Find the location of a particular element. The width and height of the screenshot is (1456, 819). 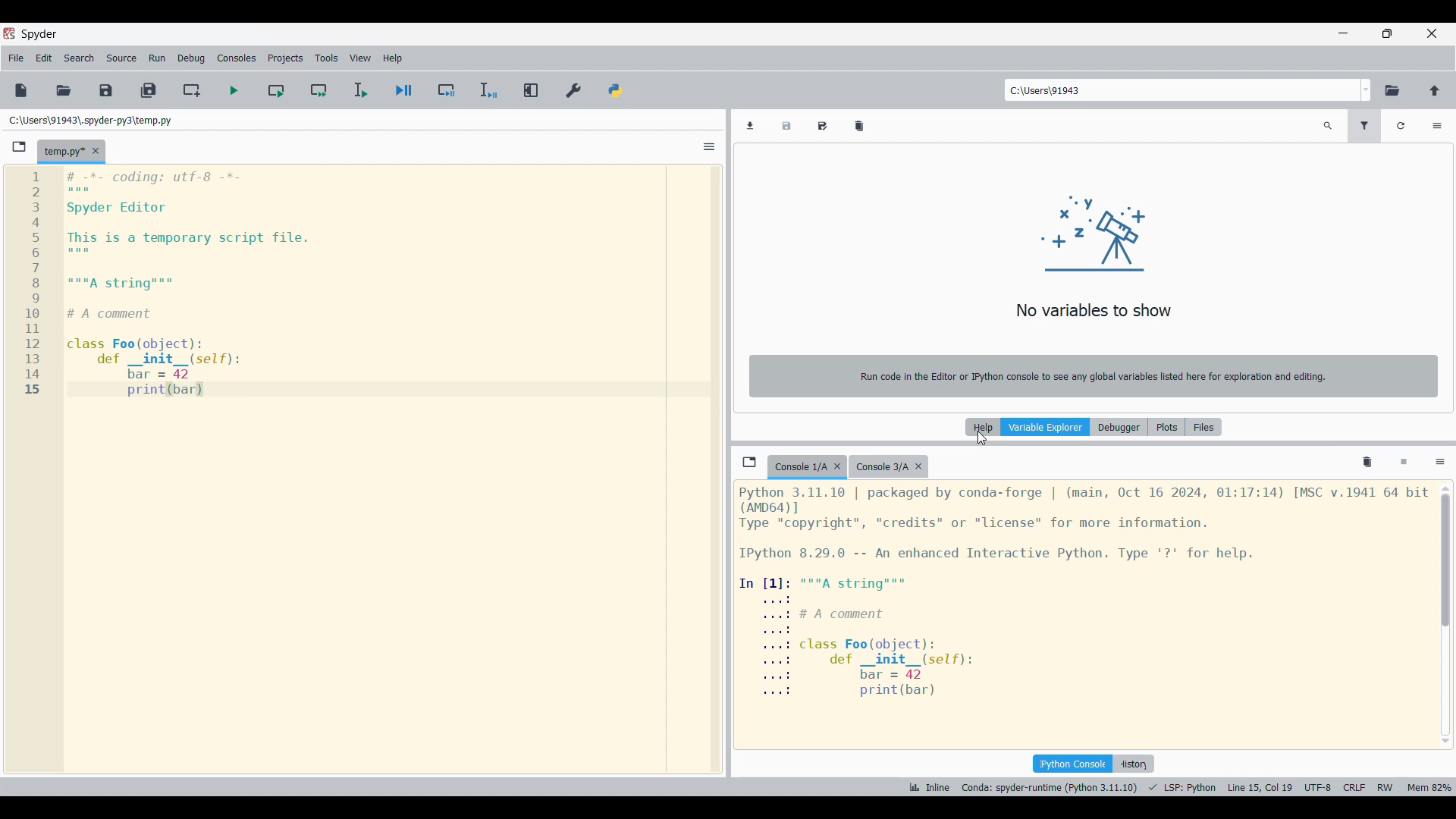

Help is located at coordinates (982, 427).